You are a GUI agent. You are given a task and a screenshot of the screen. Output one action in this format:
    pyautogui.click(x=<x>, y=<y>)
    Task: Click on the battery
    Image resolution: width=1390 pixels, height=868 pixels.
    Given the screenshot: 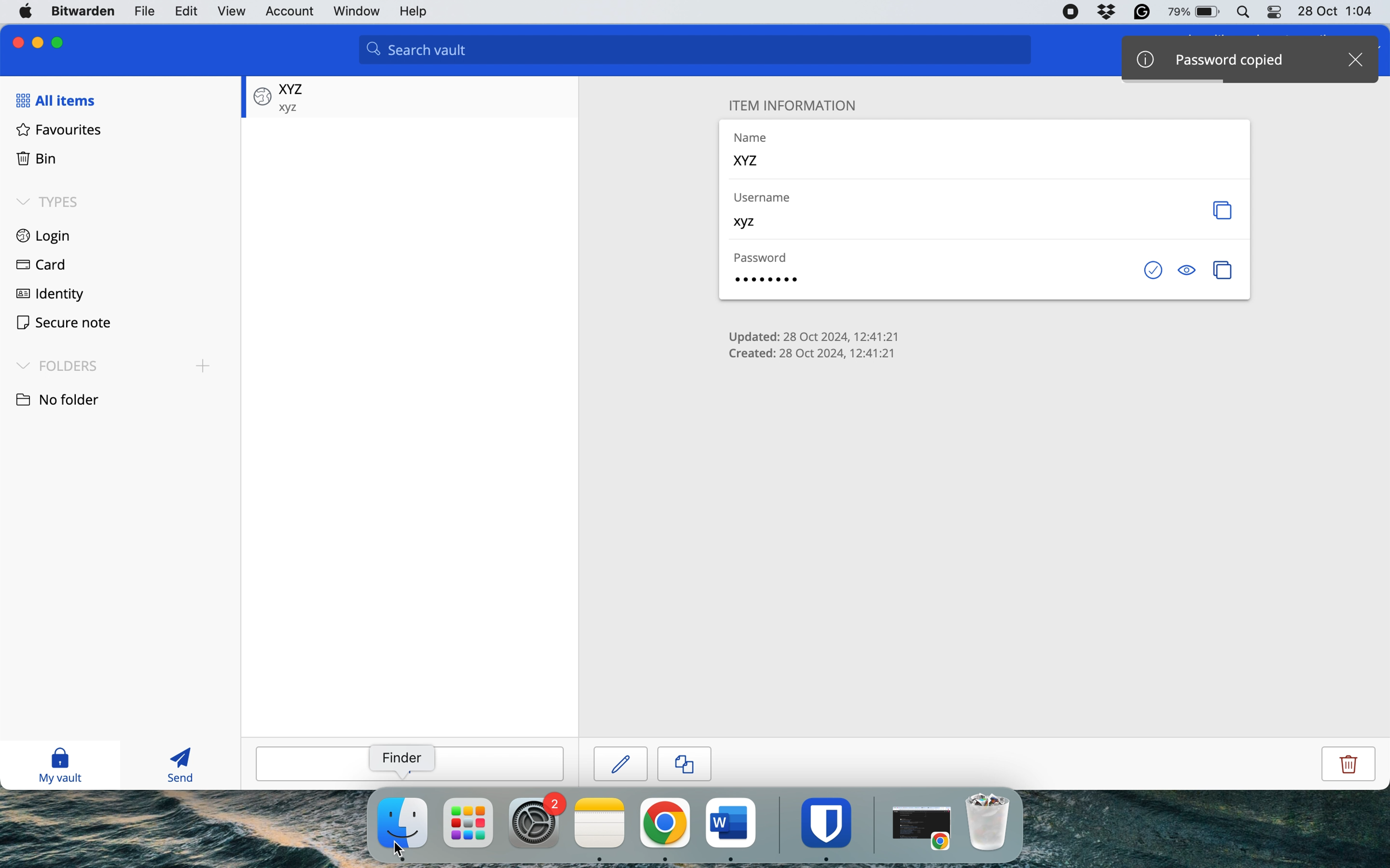 What is the action you would take?
    pyautogui.click(x=1190, y=12)
    